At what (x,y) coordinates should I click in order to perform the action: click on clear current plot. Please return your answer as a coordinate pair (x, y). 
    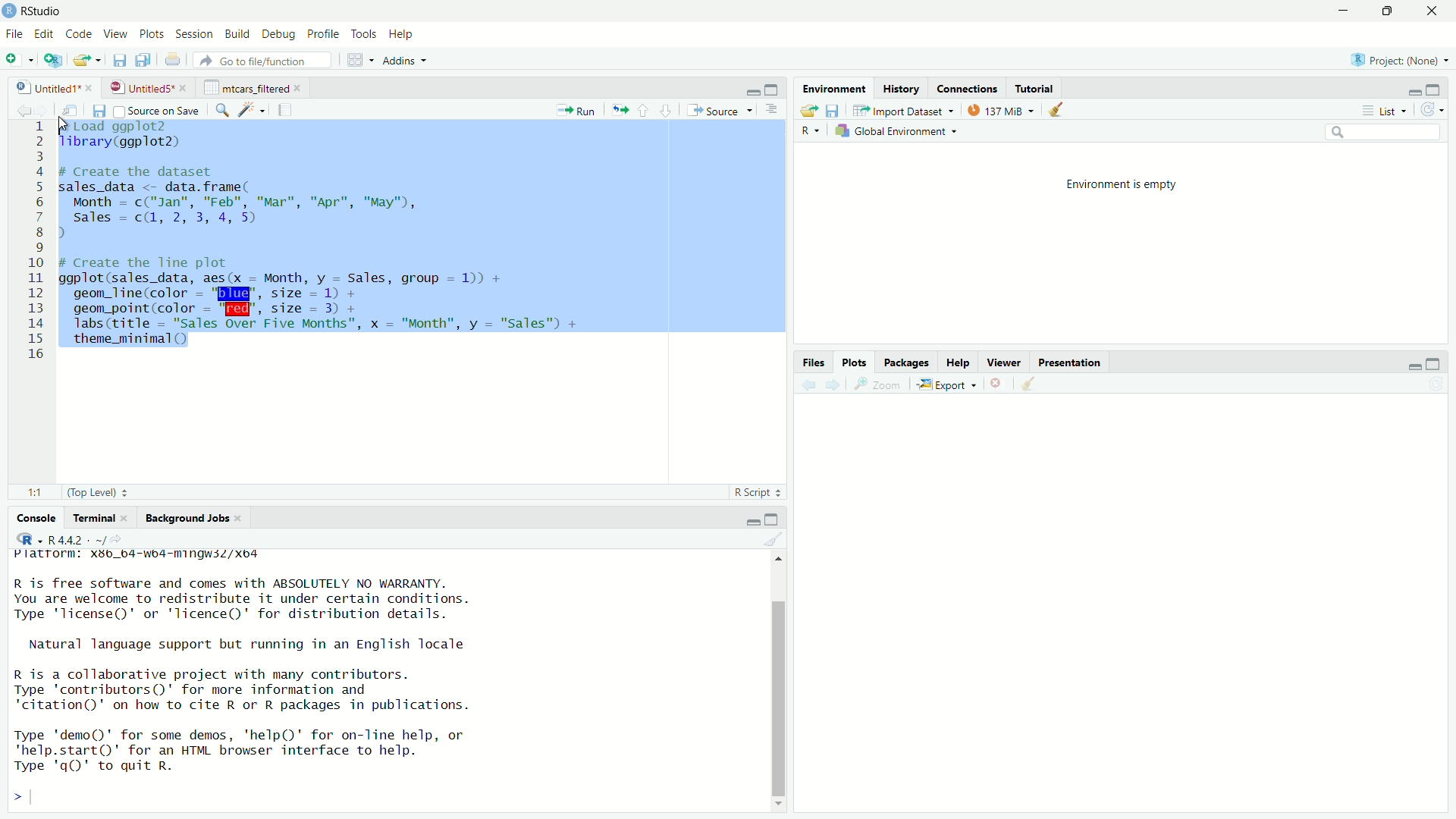
    Looking at the image, I should click on (998, 384).